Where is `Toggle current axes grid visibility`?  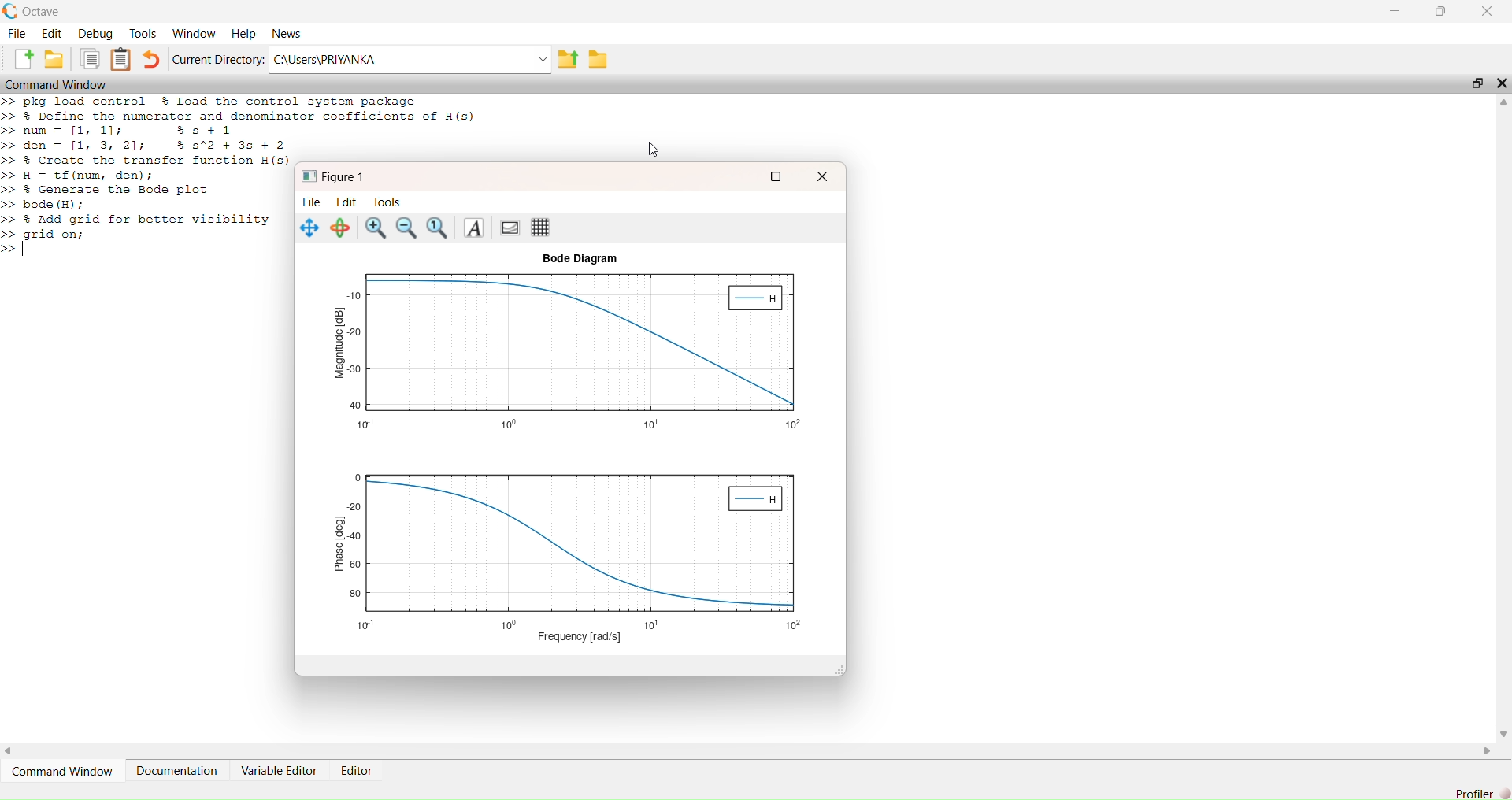
Toggle current axes grid visibility is located at coordinates (541, 228).